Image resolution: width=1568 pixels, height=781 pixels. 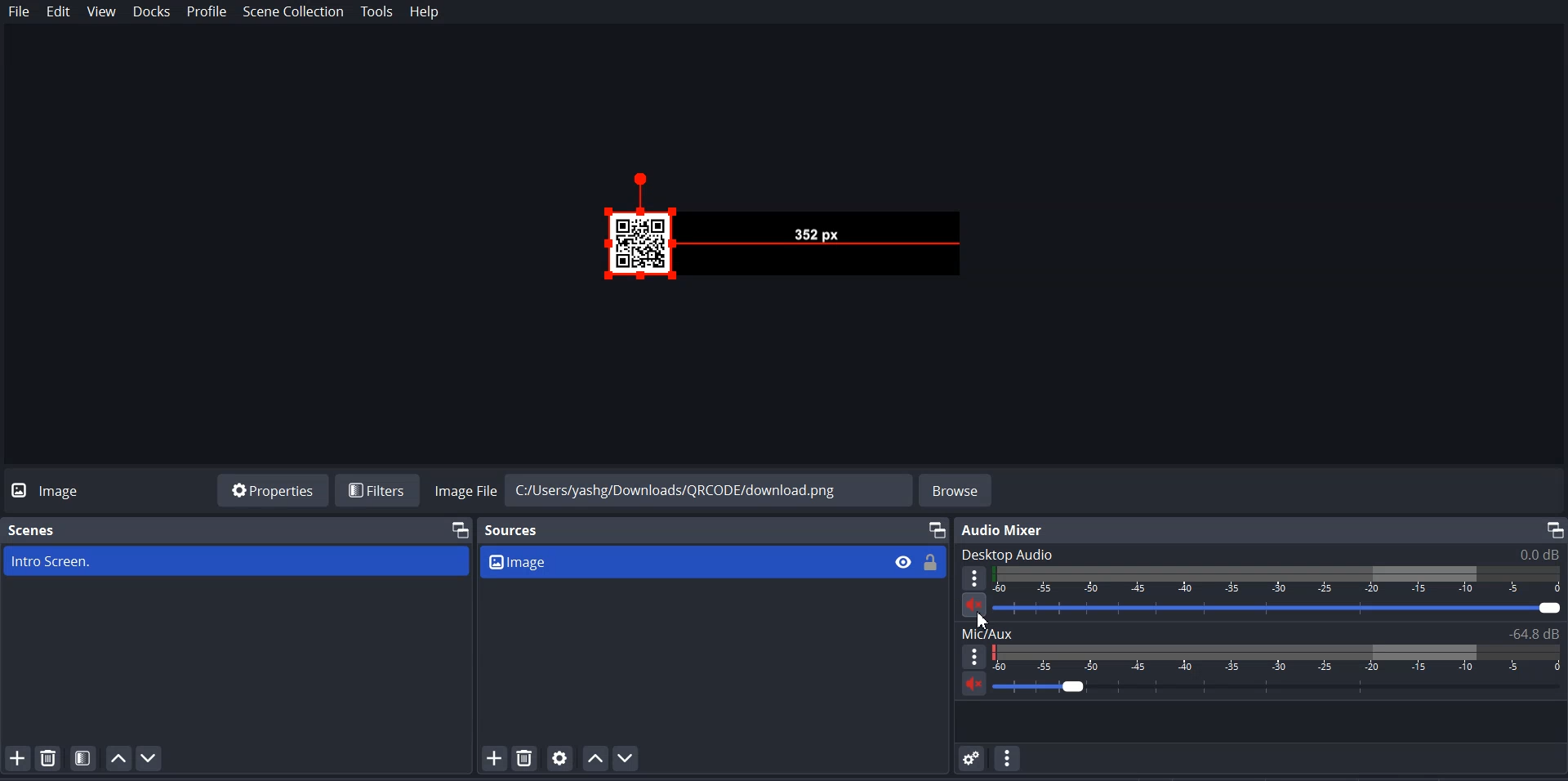 I want to click on Profile, so click(x=207, y=12).